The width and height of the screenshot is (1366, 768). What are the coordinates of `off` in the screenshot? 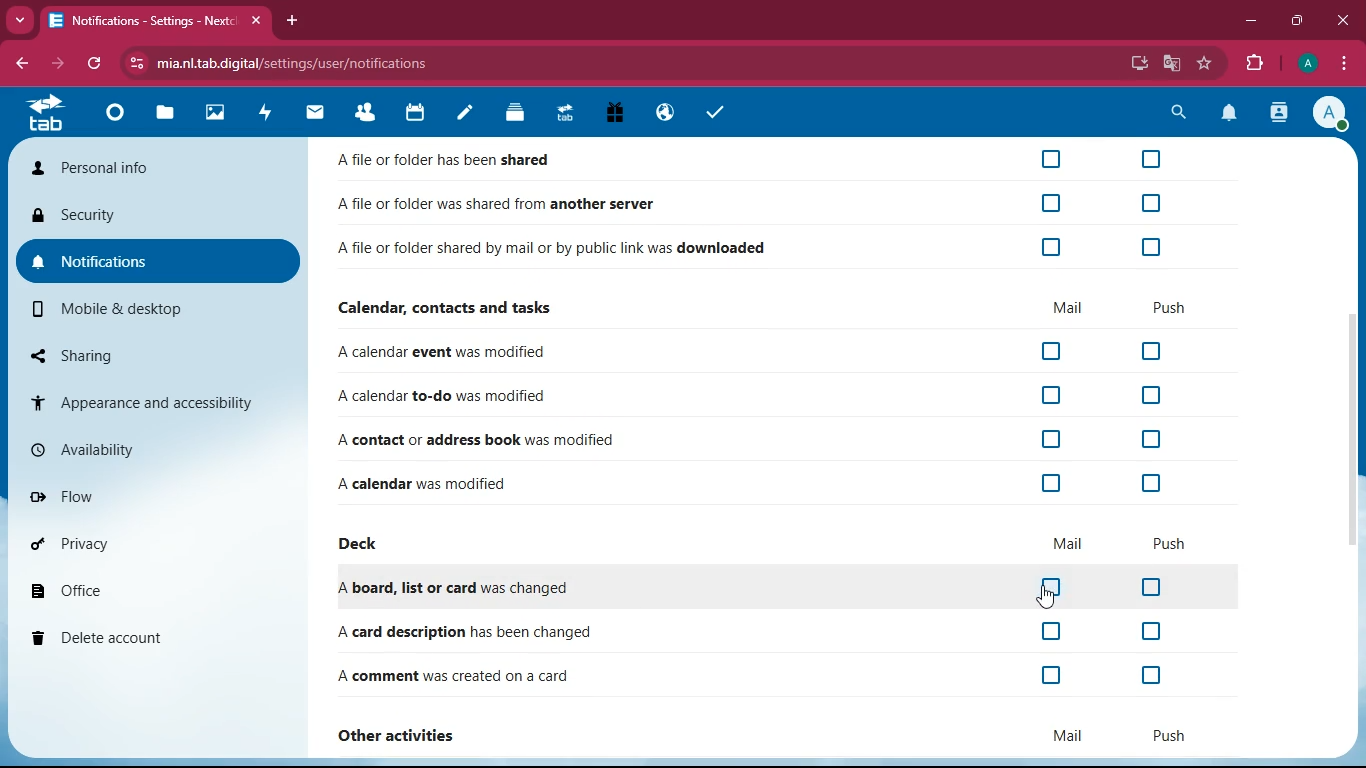 It's located at (1153, 585).